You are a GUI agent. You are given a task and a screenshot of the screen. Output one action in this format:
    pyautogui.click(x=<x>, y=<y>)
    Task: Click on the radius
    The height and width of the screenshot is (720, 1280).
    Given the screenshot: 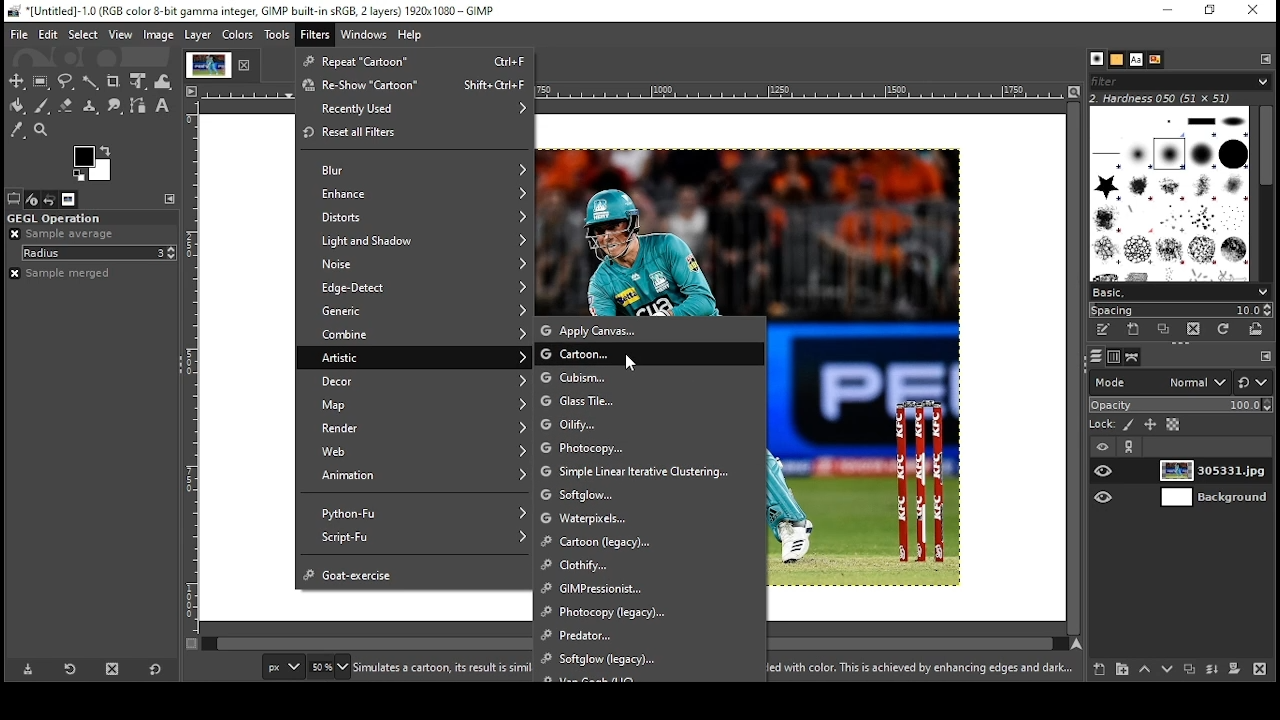 What is the action you would take?
    pyautogui.click(x=100, y=253)
    